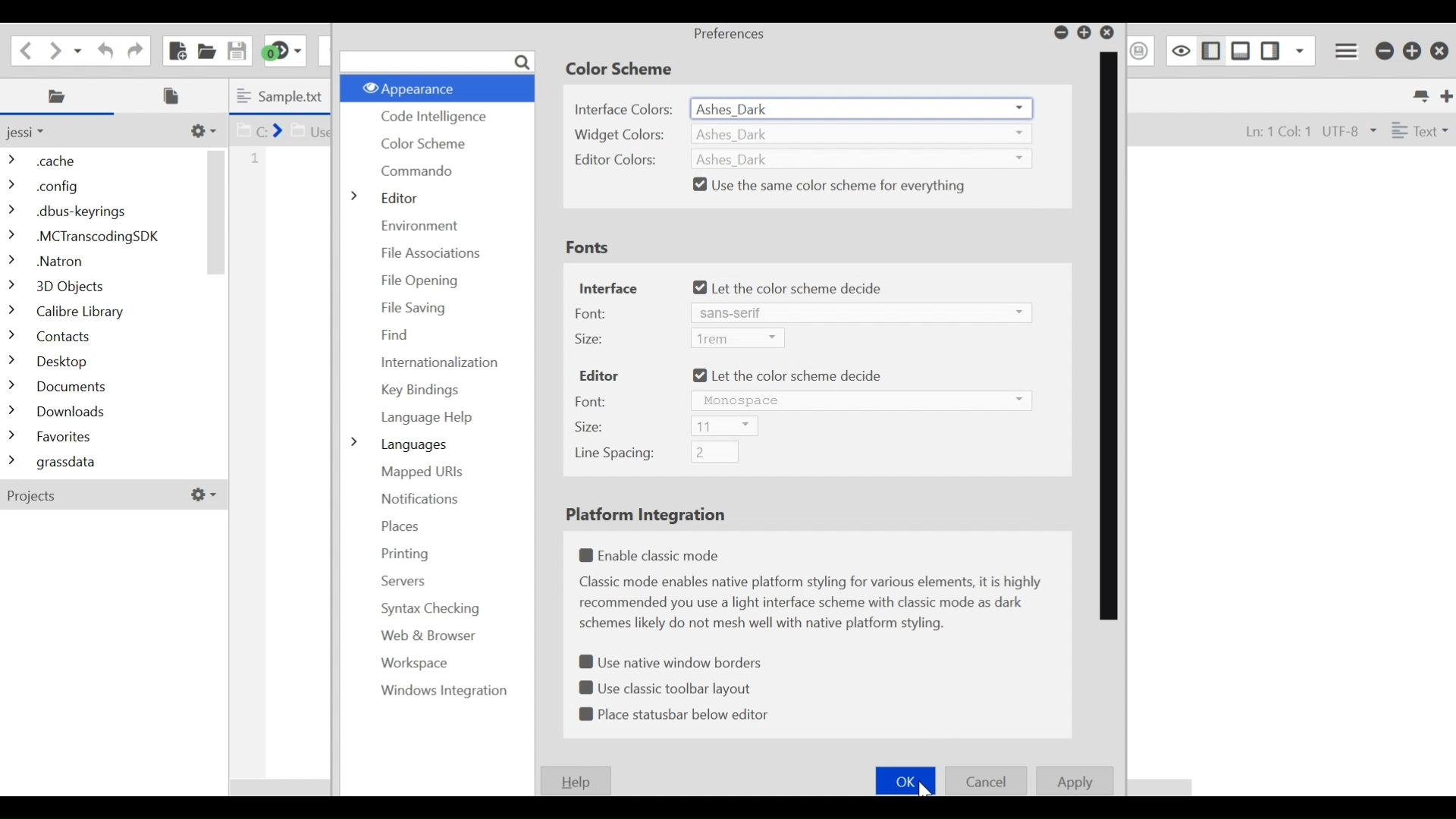  Describe the element at coordinates (730, 34) in the screenshot. I see `Preferences` at that location.